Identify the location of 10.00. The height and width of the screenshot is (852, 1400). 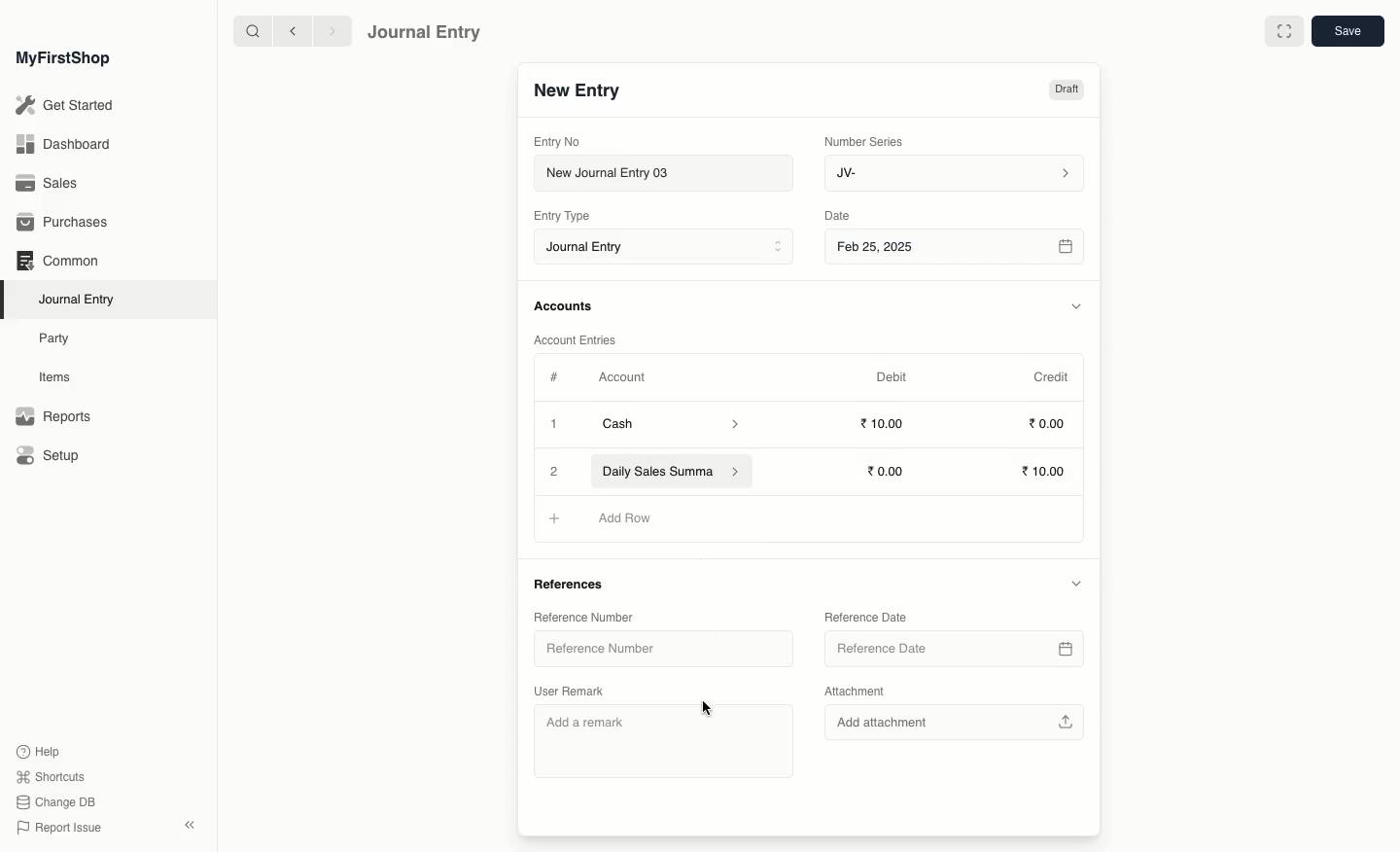
(1046, 473).